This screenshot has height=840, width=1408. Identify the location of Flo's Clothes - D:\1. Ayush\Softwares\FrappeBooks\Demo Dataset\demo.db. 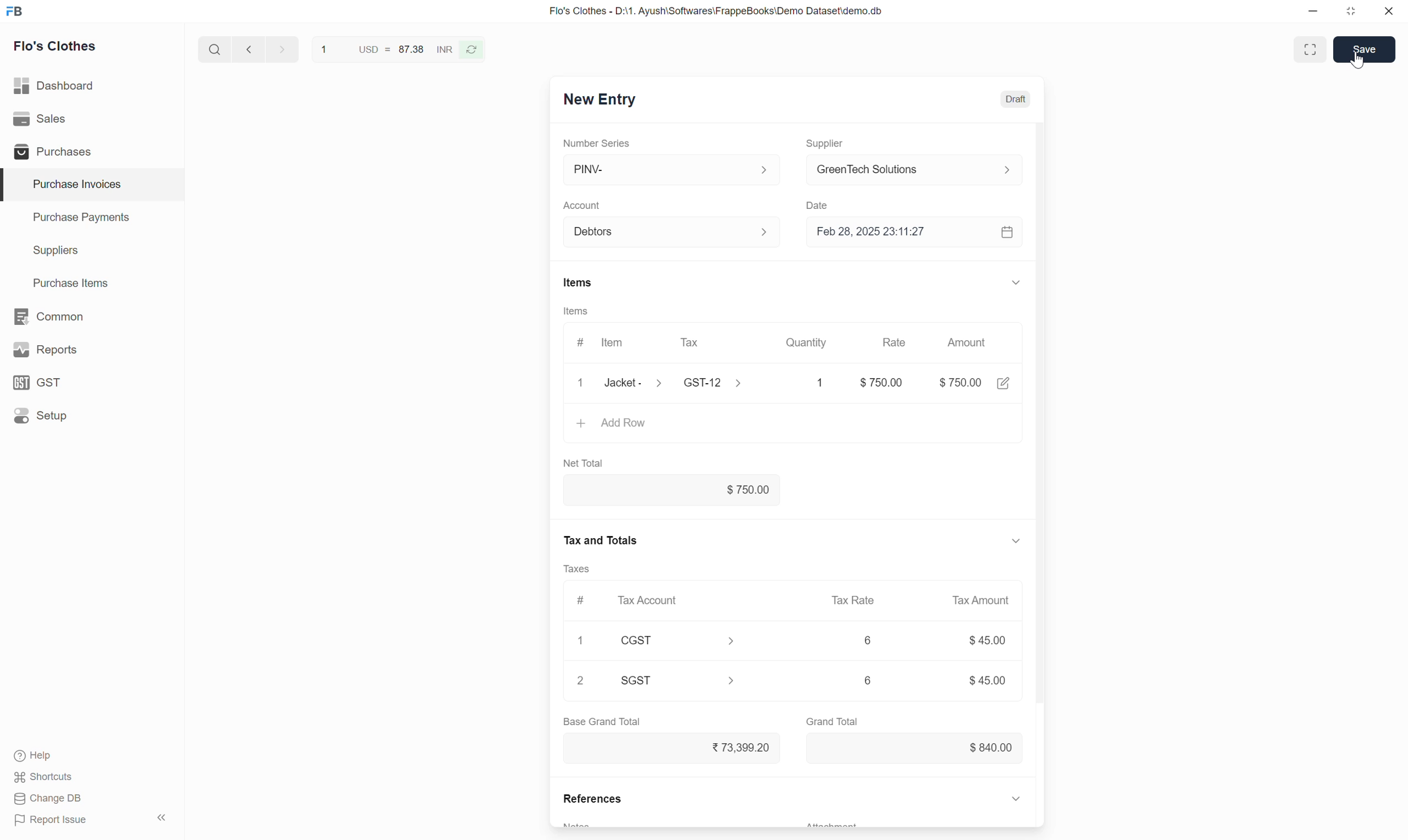
(717, 11).